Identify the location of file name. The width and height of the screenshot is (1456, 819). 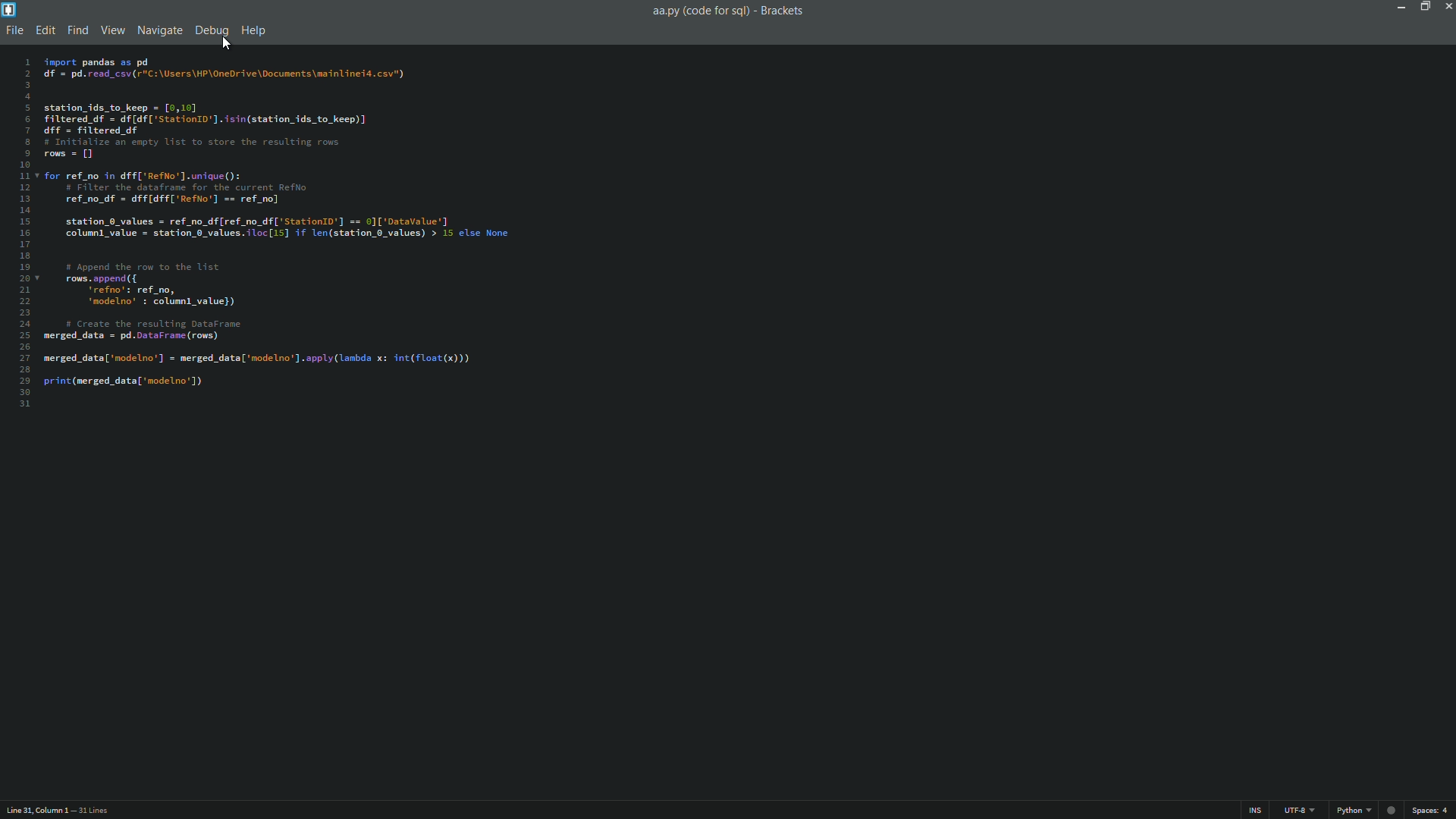
(698, 11).